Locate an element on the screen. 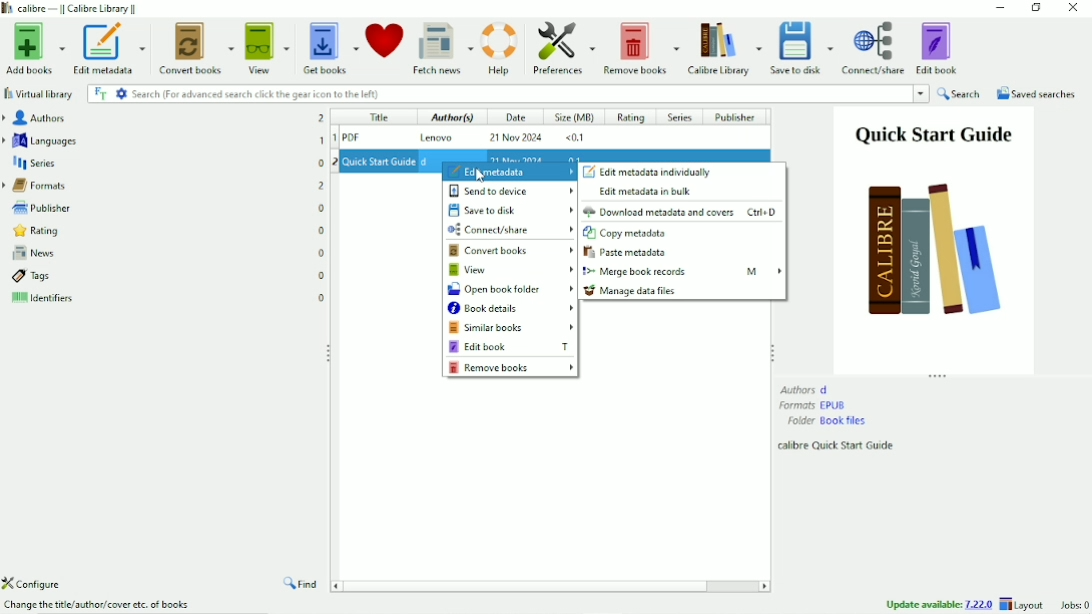 This screenshot has width=1092, height=614. Tags is located at coordinates (168, 276).